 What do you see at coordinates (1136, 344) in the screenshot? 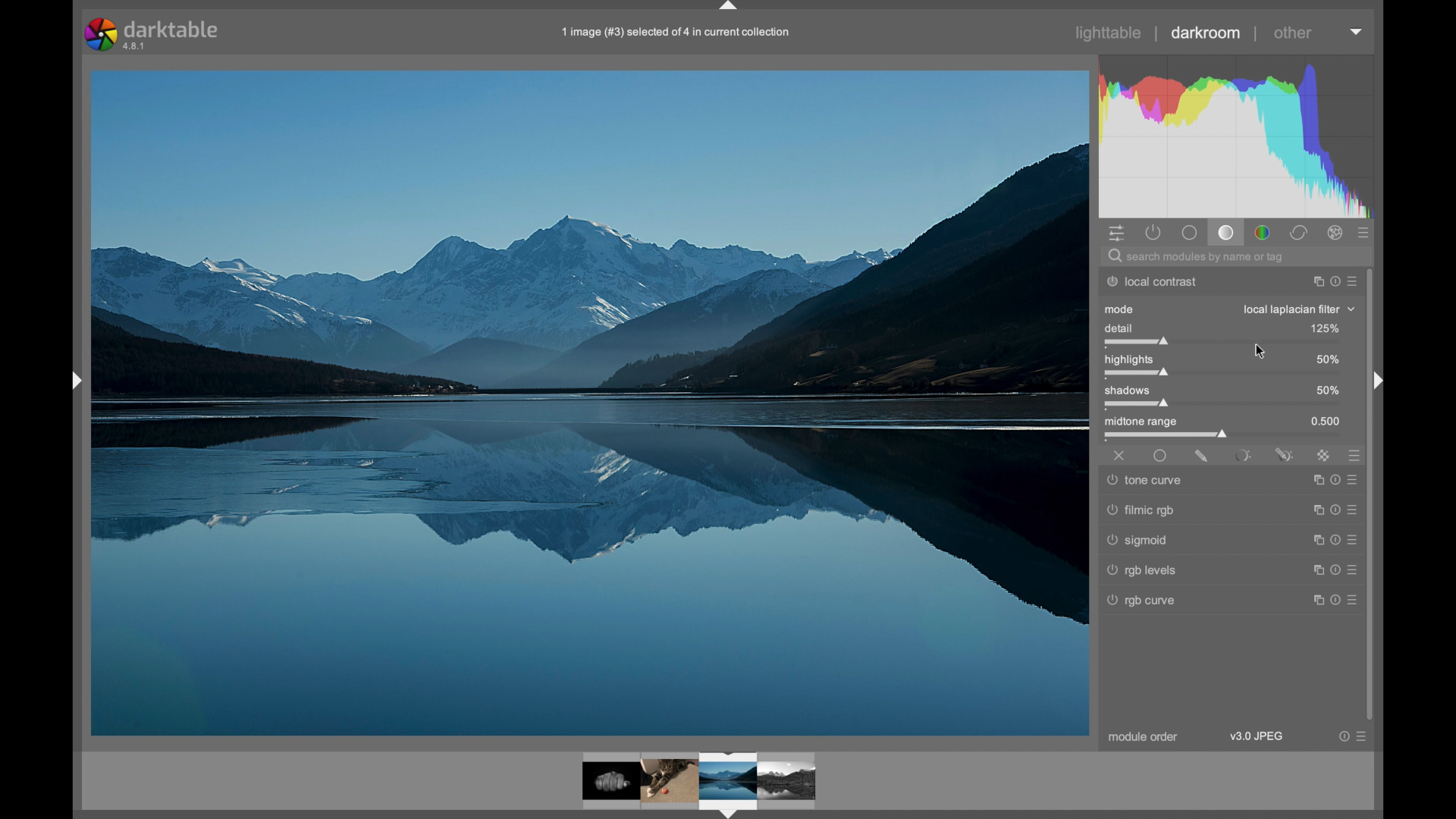
I see `slider` at bounding box center [1136, 344].